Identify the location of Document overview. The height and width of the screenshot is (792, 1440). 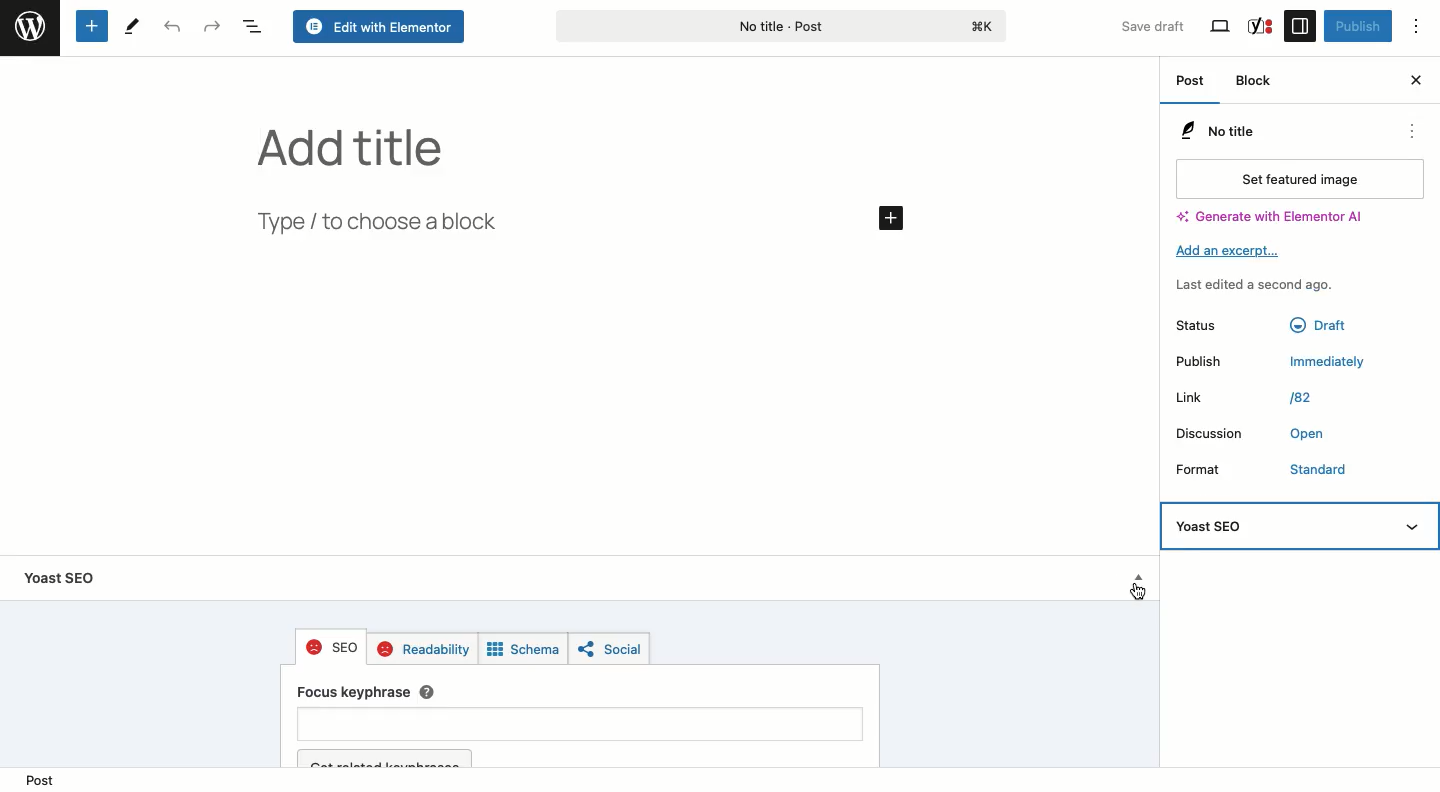
(253, 28).